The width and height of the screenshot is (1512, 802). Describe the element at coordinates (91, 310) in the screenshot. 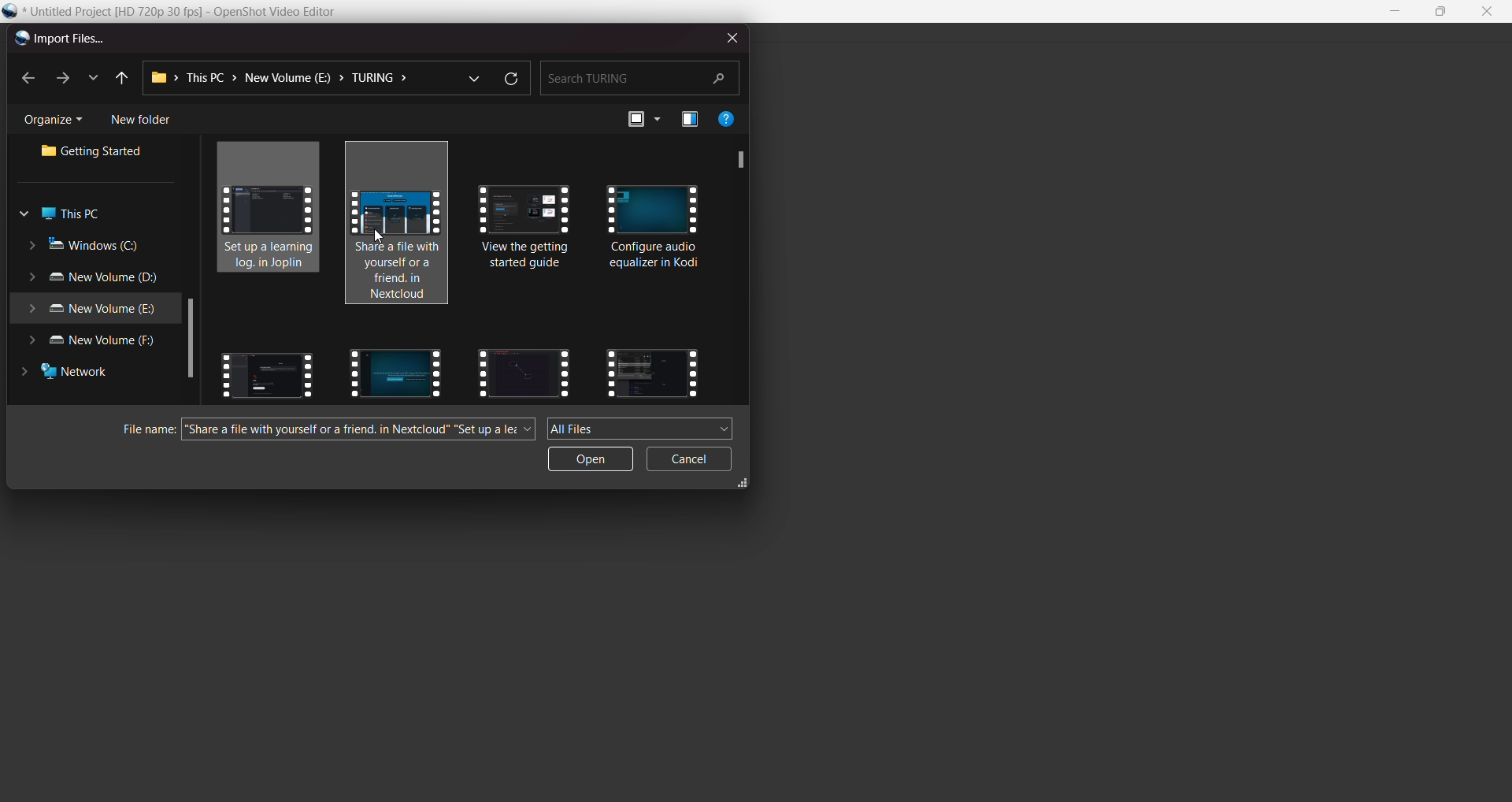

I see `new volume e` at that location.